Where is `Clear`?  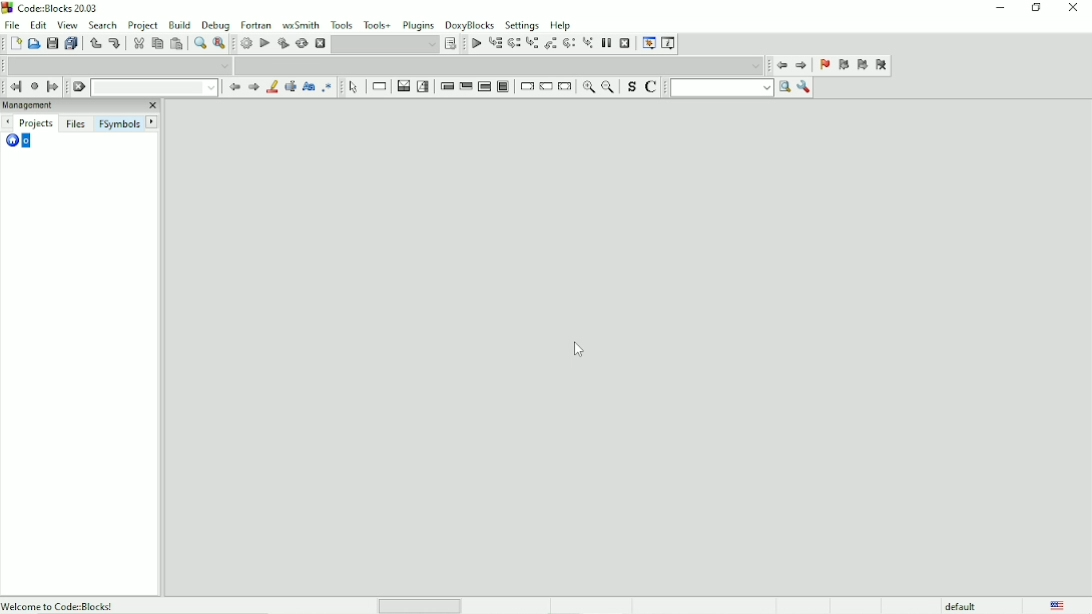
Clear is located at coordinates (79, 87).